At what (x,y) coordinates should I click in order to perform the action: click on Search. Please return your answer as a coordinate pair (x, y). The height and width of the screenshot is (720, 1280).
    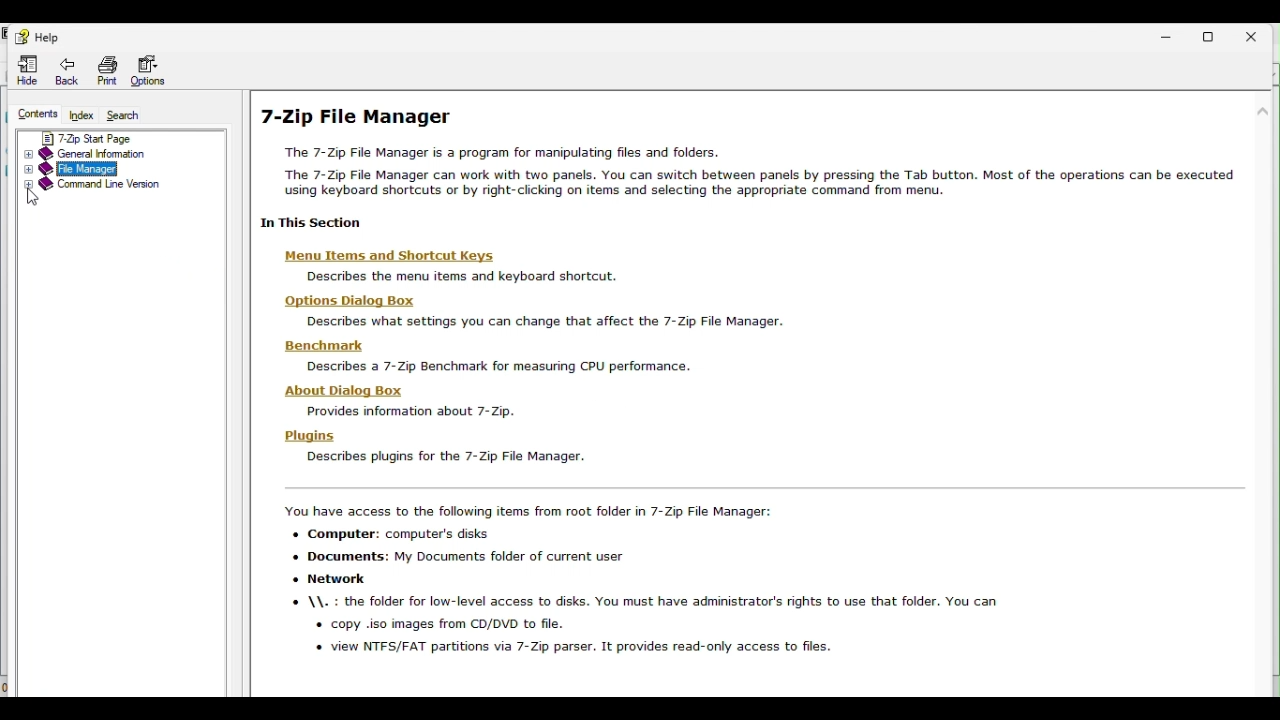
    Looking at the image, I should click on (130, 115).